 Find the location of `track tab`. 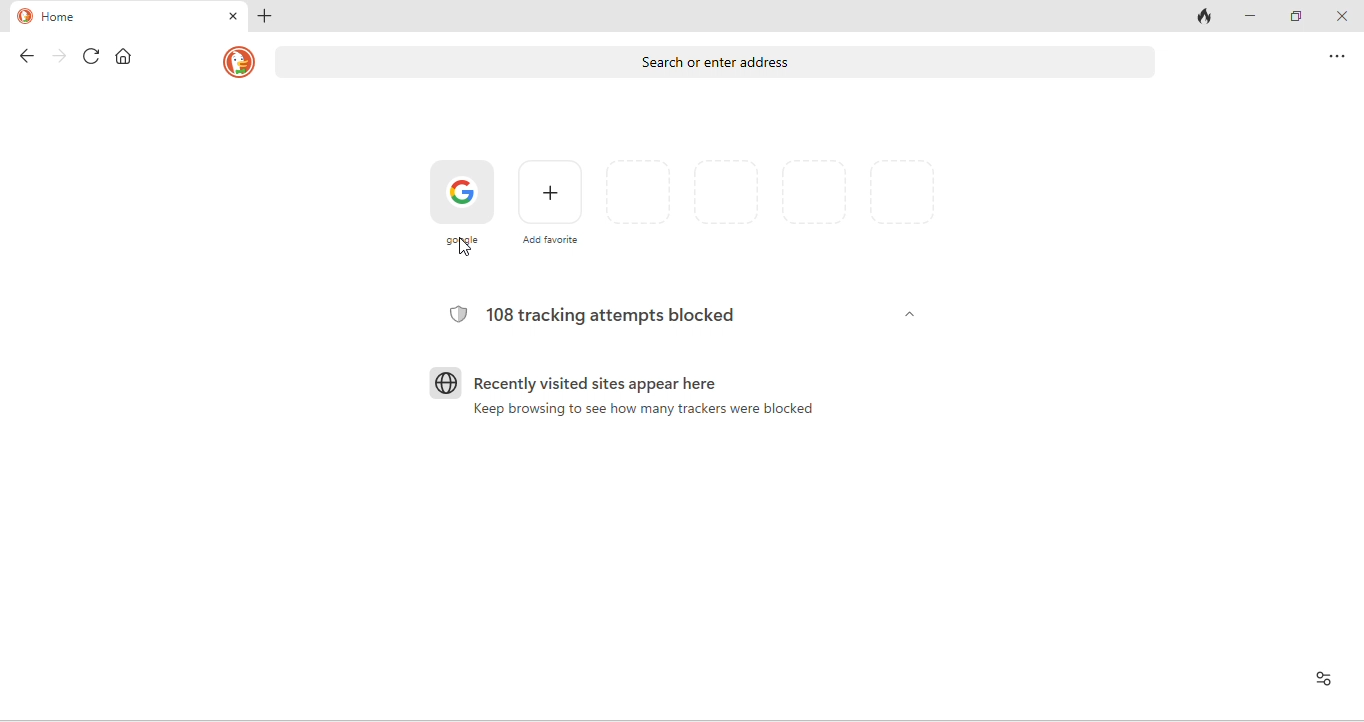

track tab is located at coordinates (1202, 18).